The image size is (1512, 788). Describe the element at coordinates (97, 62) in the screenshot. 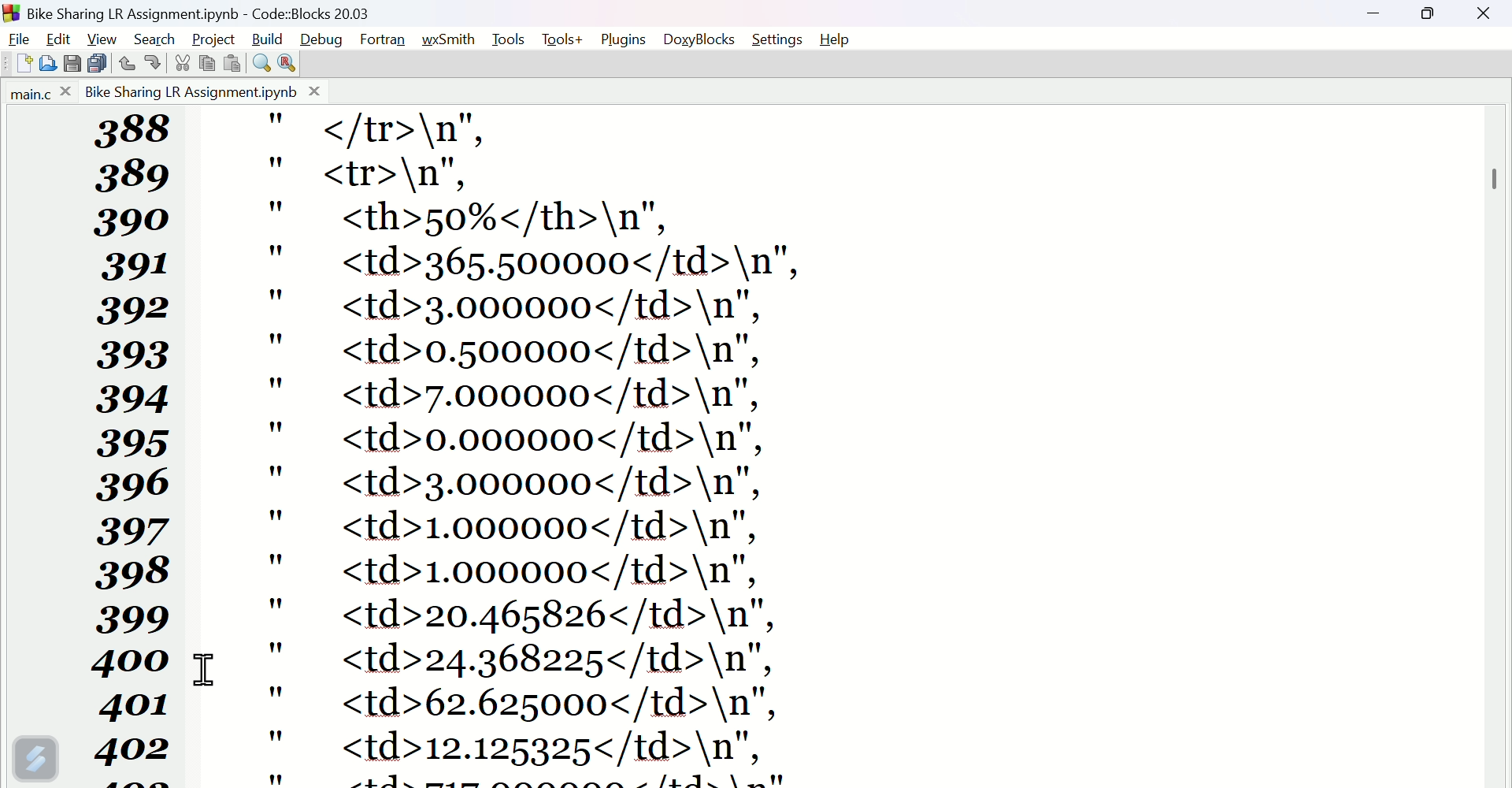

I see `Save all` at that location.